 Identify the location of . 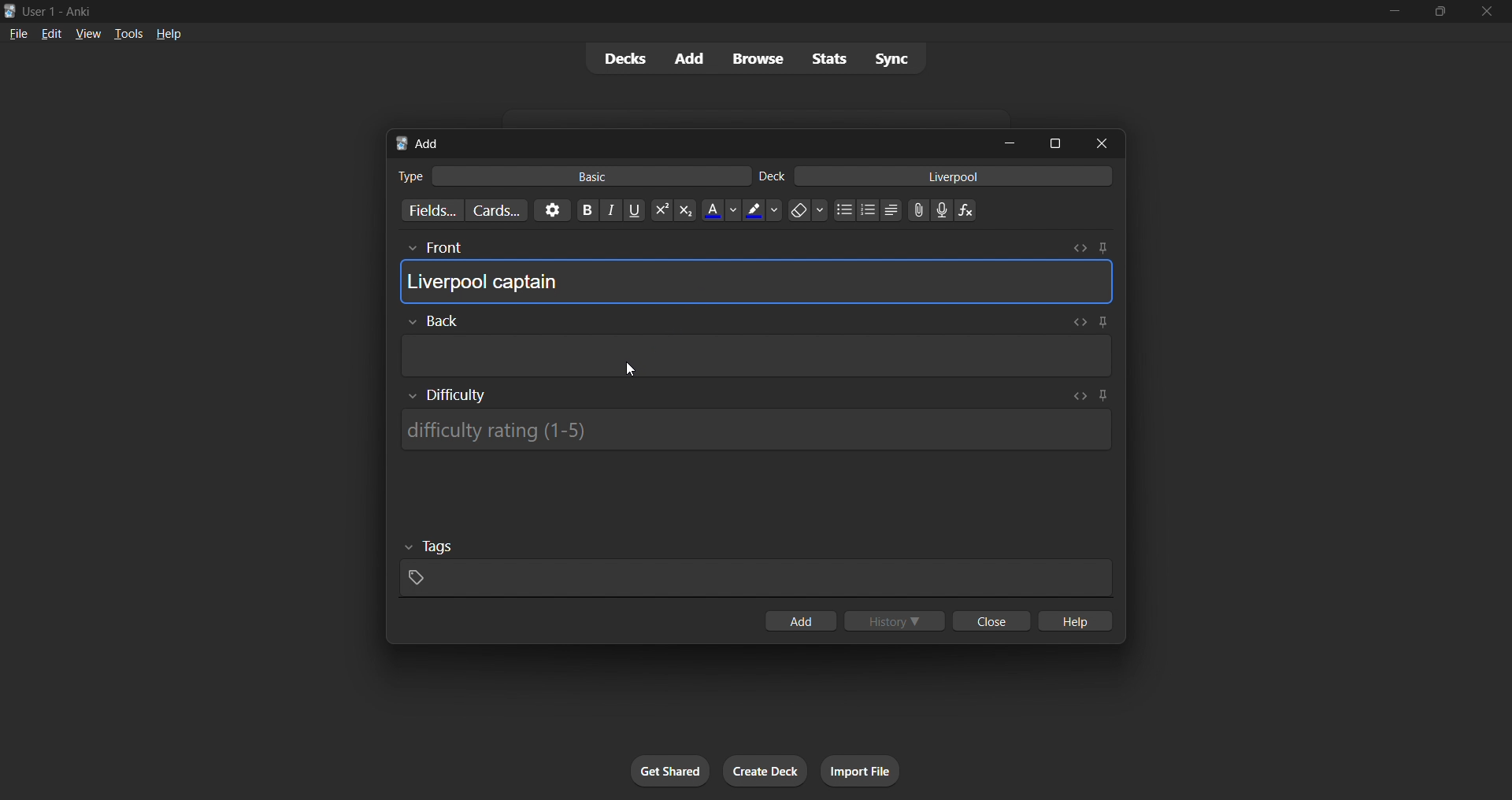
(433, 321).